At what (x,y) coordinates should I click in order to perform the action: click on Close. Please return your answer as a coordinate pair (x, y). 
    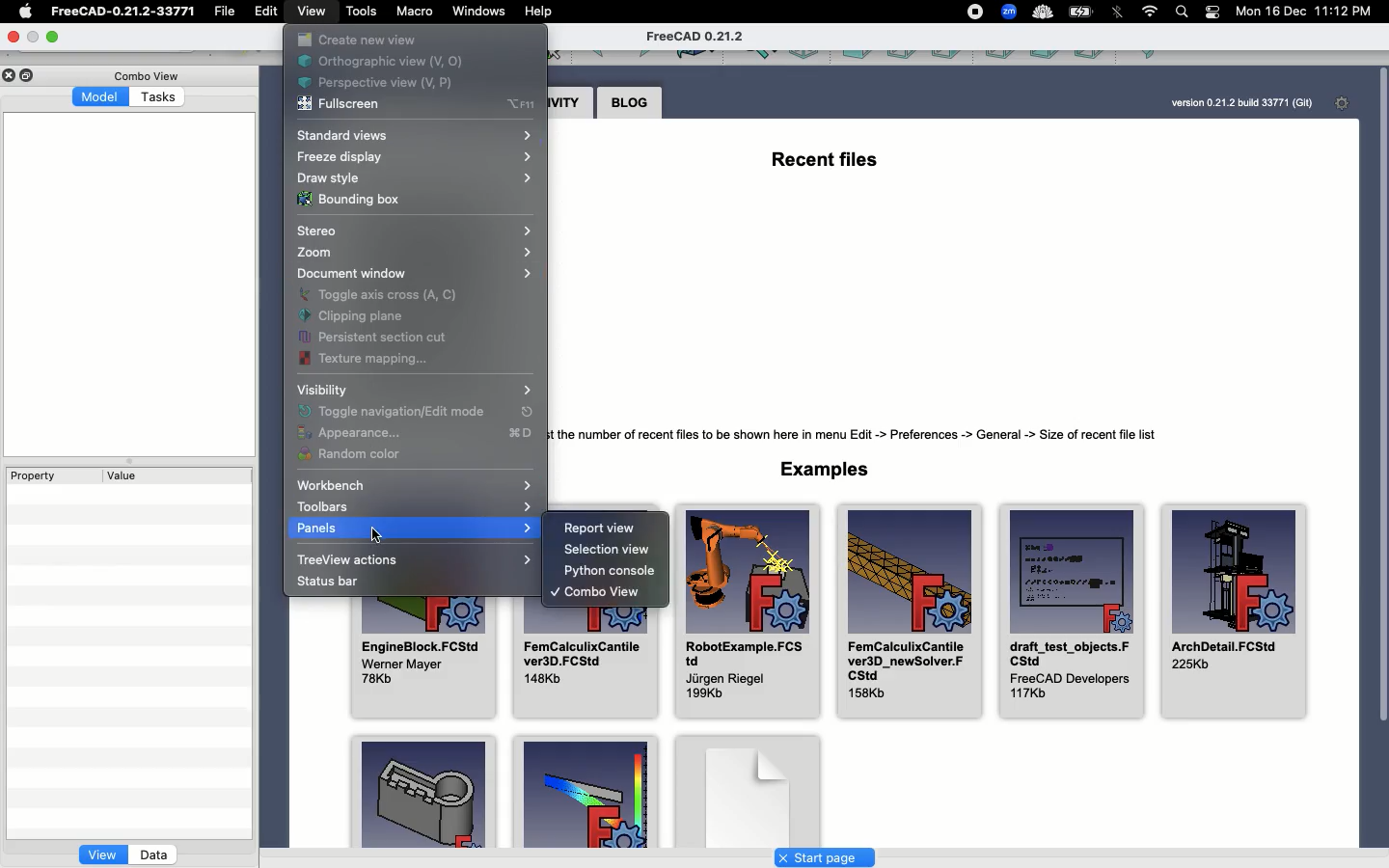
    Looking at the image, I should click on (17, 38).